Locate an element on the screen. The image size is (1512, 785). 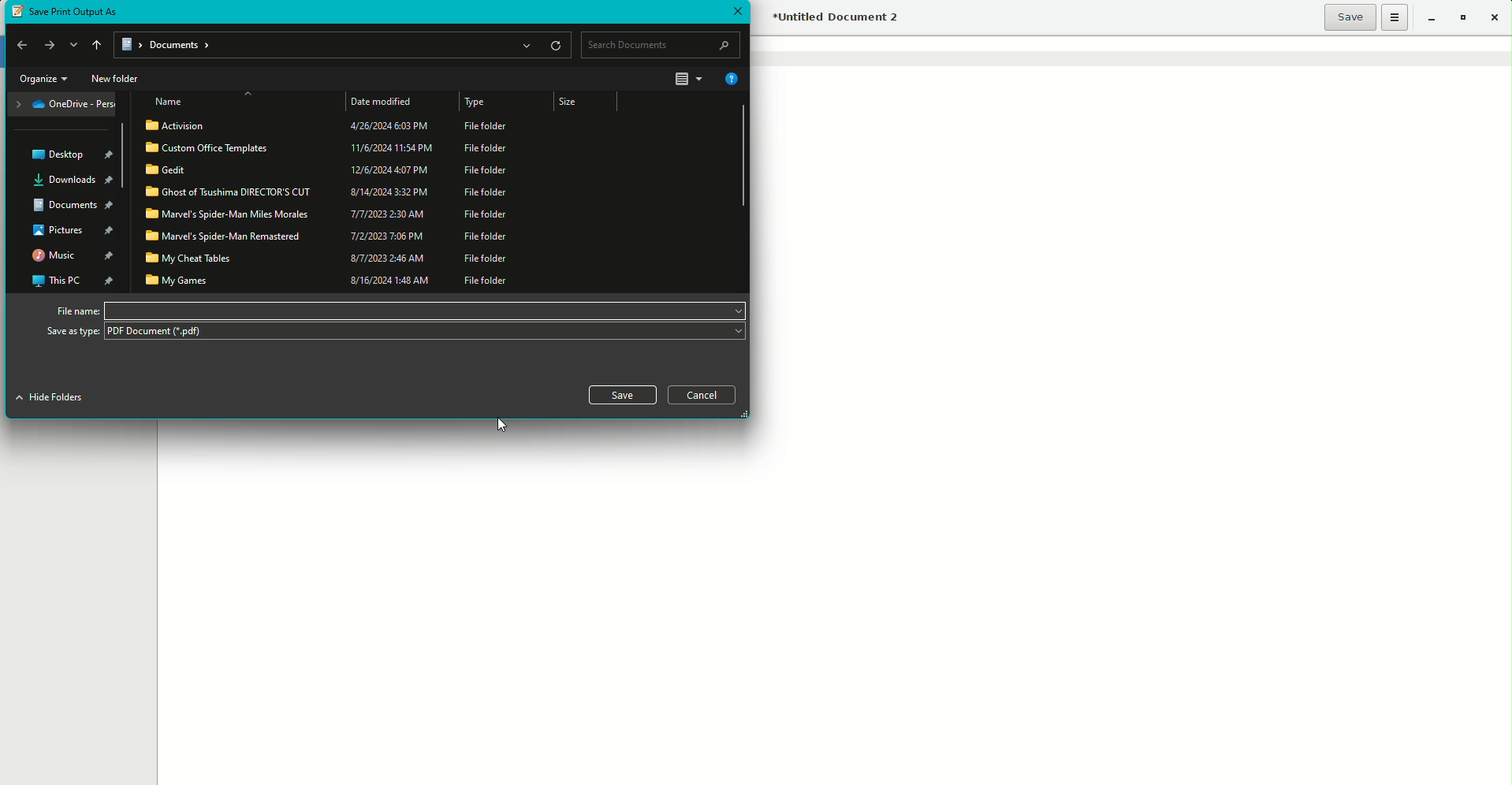
Save is located at coordinates (622, 395).